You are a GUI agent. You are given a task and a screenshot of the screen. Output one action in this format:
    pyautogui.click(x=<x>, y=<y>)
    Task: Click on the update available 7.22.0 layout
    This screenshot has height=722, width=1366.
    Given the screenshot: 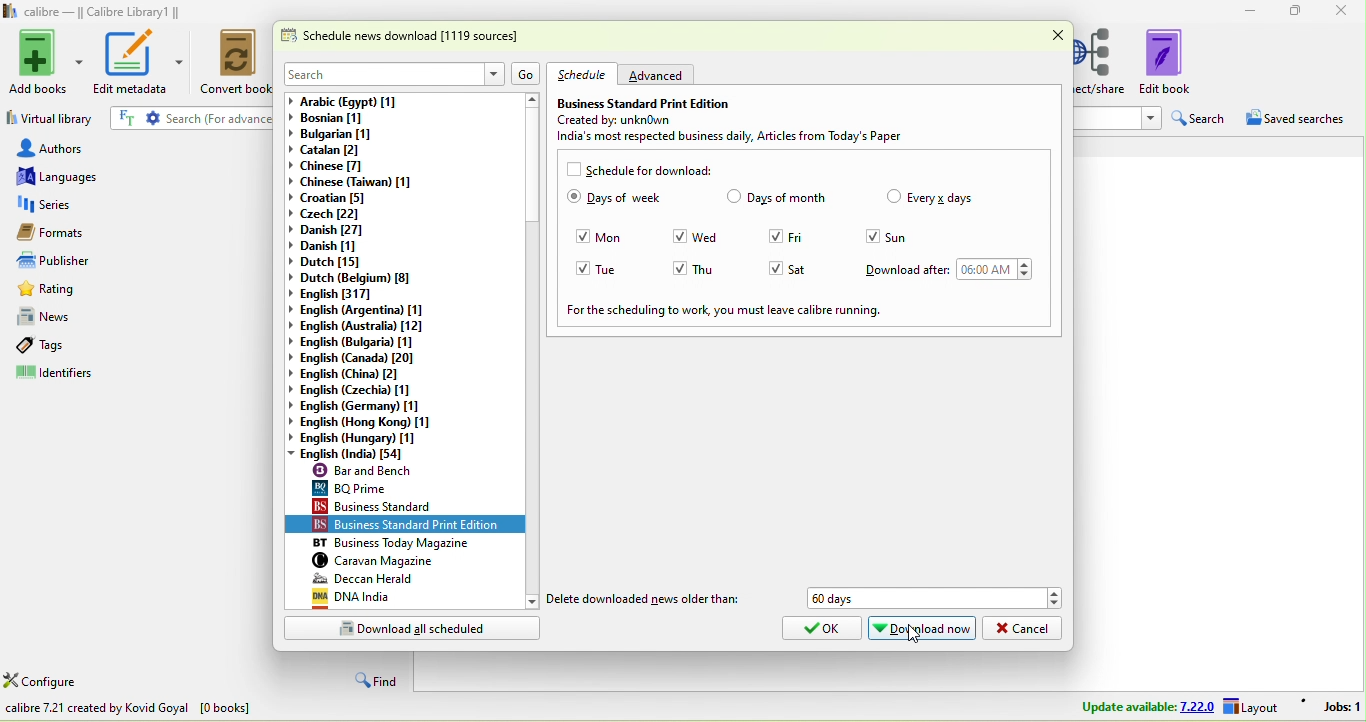 What is the action you would take?
    pyautogui.click(x=1154, y=707)
    